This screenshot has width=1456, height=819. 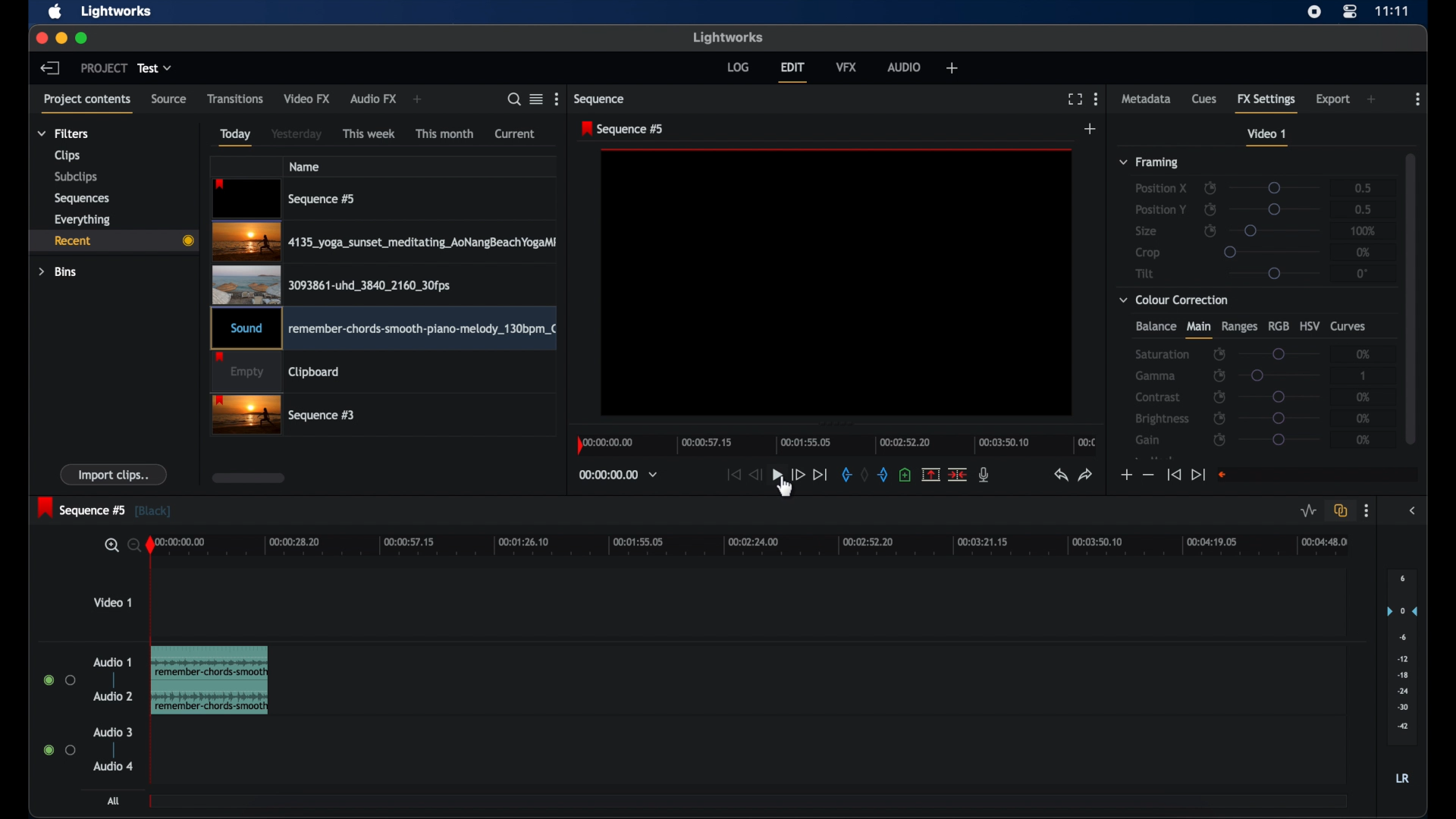 I want to click on source, so click(x=169, y=99).